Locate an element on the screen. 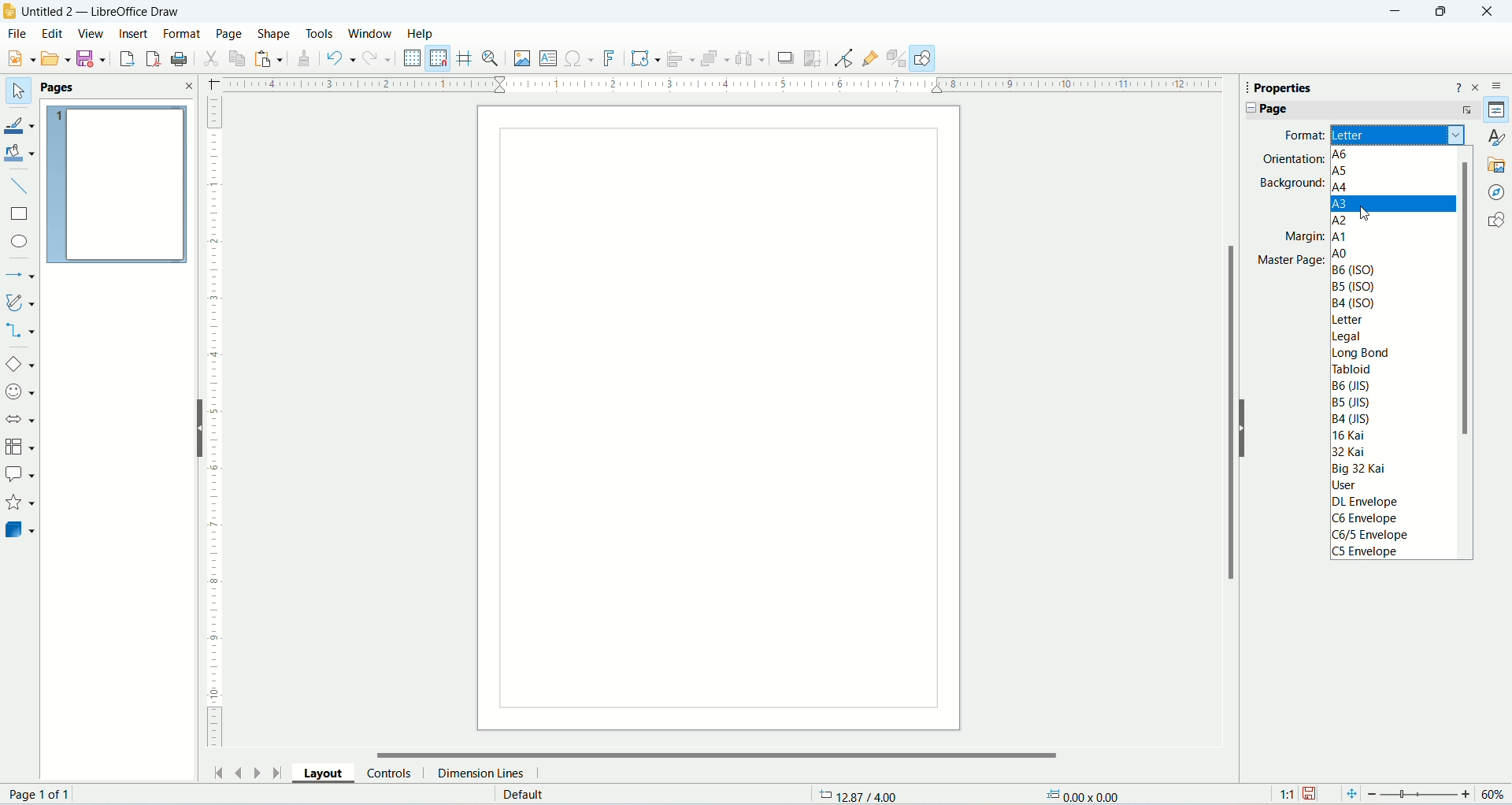  B4 is located at coordinates (1353, 417).